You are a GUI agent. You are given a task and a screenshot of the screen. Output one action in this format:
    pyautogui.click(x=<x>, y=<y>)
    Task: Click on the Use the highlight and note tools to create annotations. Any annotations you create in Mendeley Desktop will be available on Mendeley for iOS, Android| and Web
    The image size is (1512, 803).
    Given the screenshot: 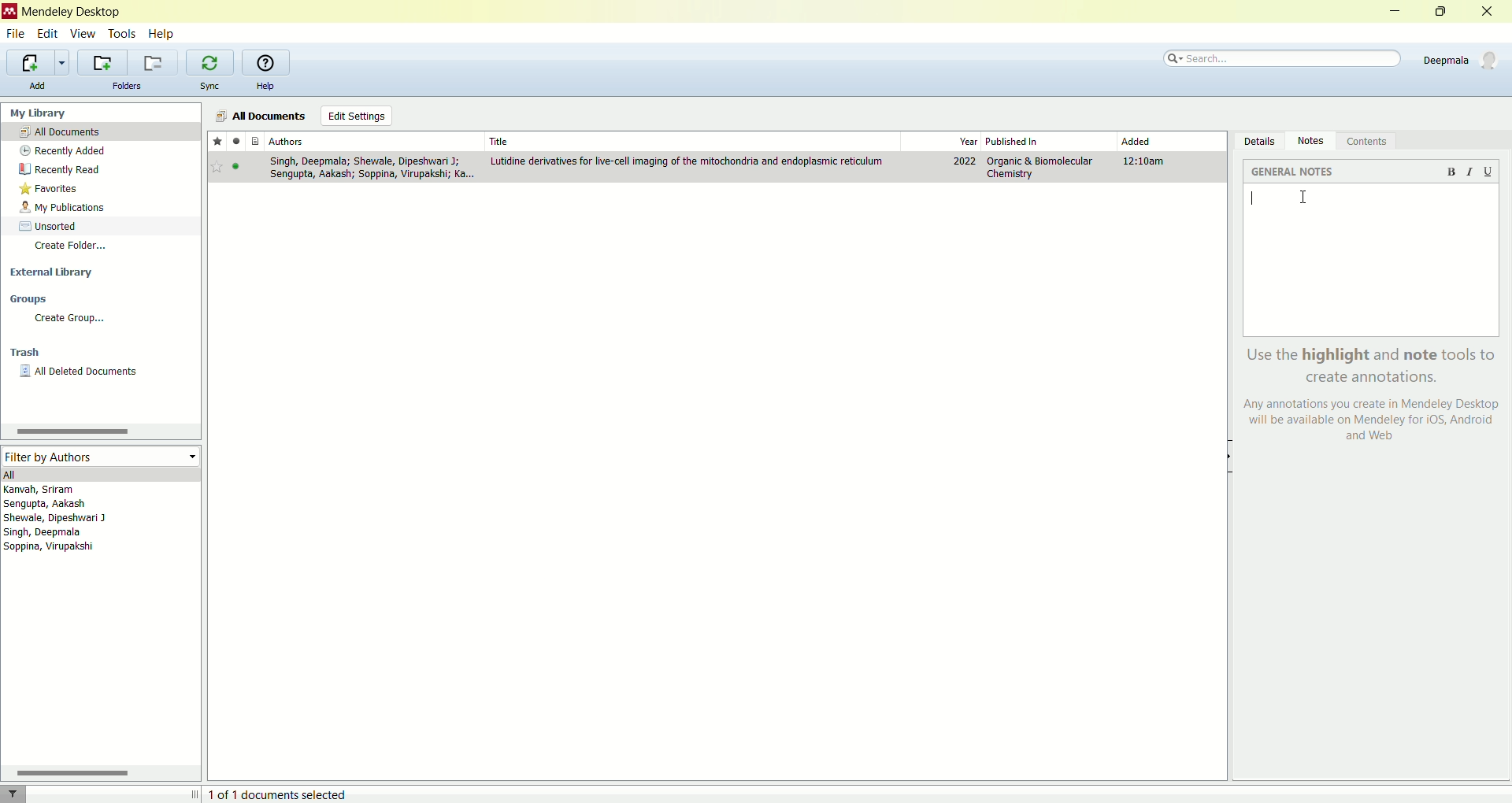 What is the action you would take?
    pyautogui.click(x=1366, y=398)
    